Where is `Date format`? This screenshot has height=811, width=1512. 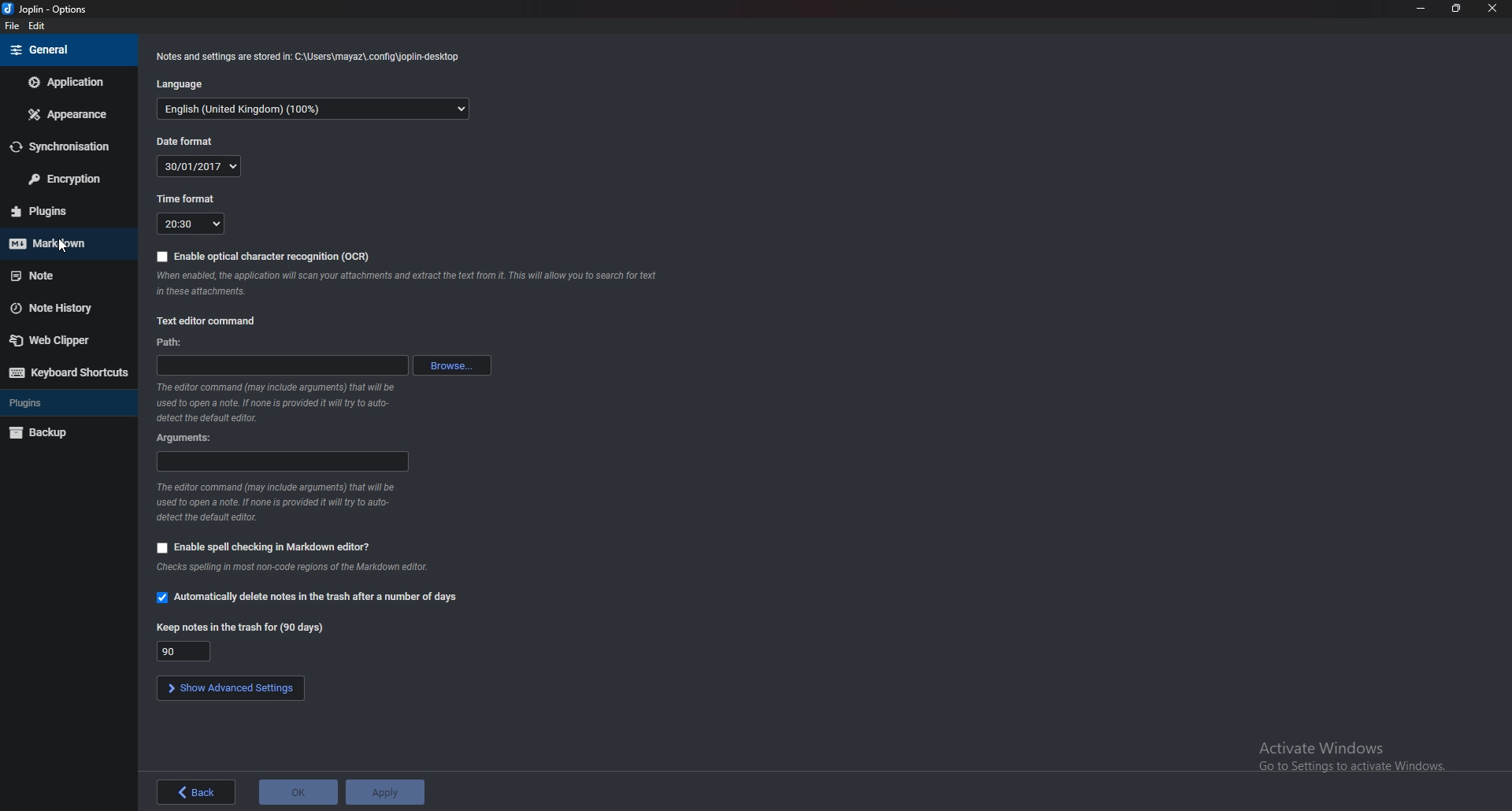
Date format is located at coordinates (183, 140).